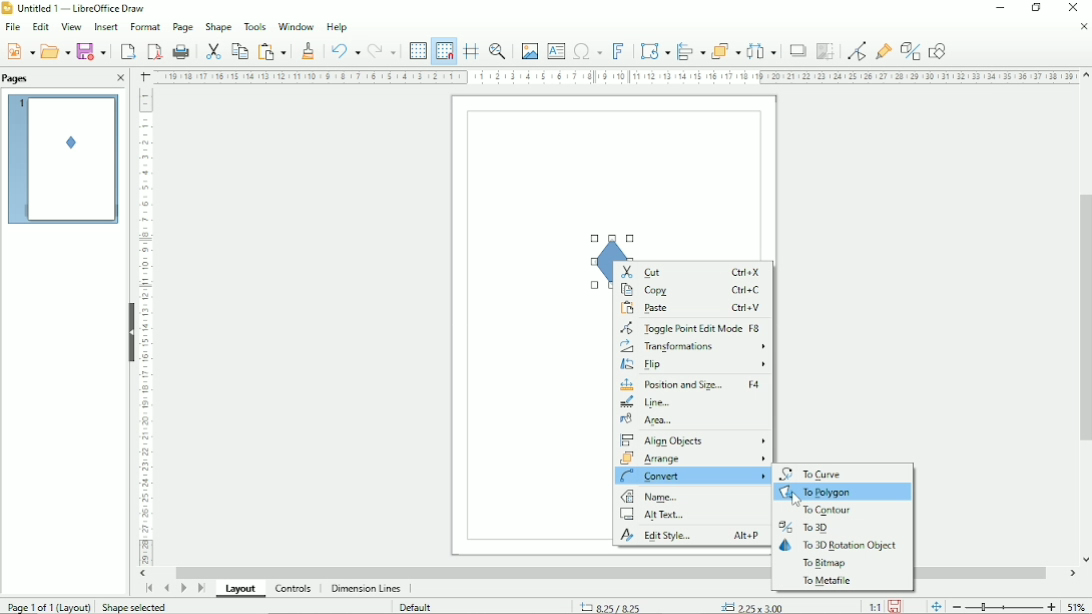  I want to click on Close, so click(1075, 8).